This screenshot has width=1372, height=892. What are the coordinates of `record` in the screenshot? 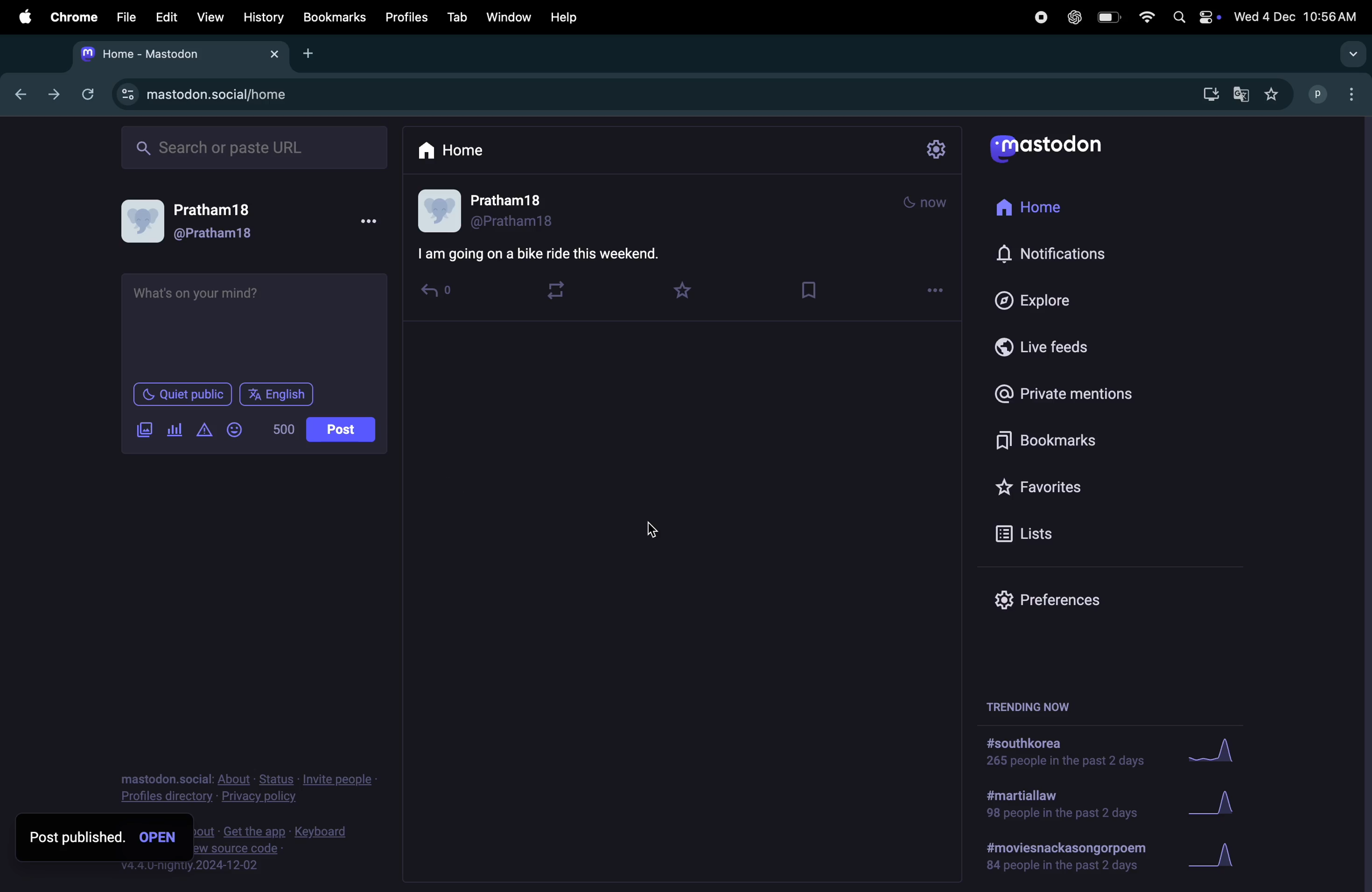 It's located at (1037, 17).